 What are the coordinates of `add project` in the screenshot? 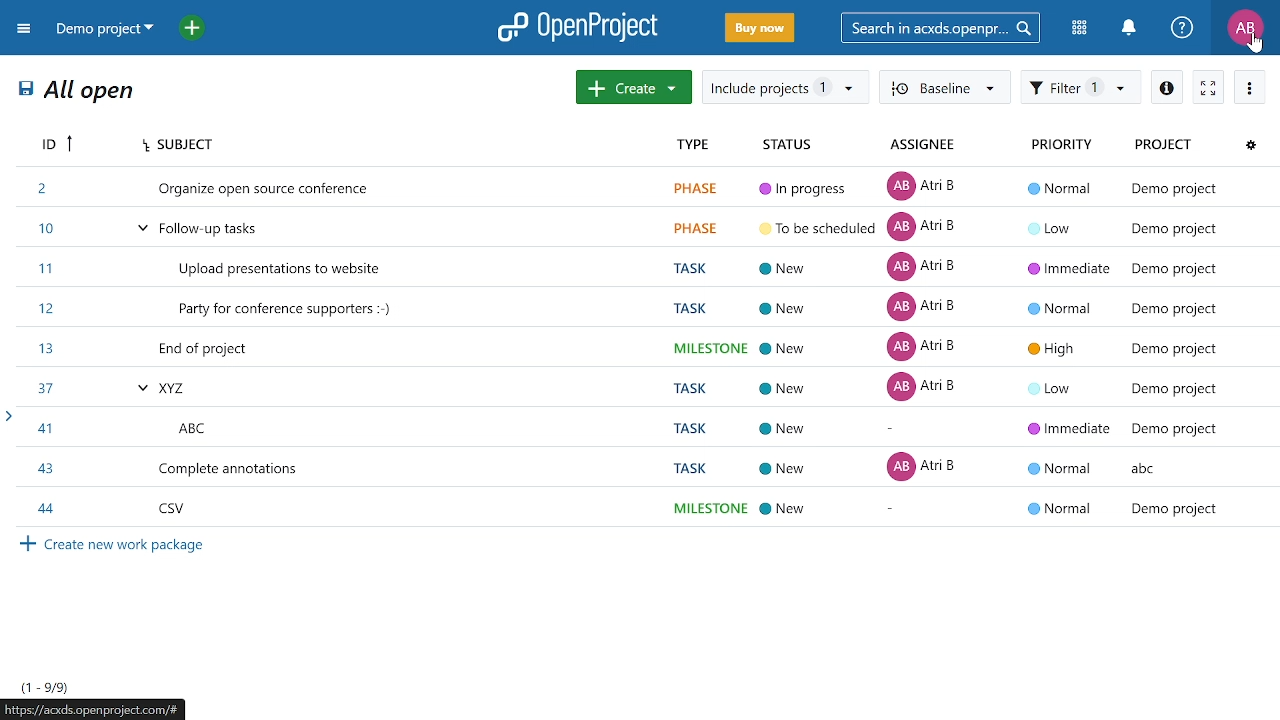 It's located at (197, 30).